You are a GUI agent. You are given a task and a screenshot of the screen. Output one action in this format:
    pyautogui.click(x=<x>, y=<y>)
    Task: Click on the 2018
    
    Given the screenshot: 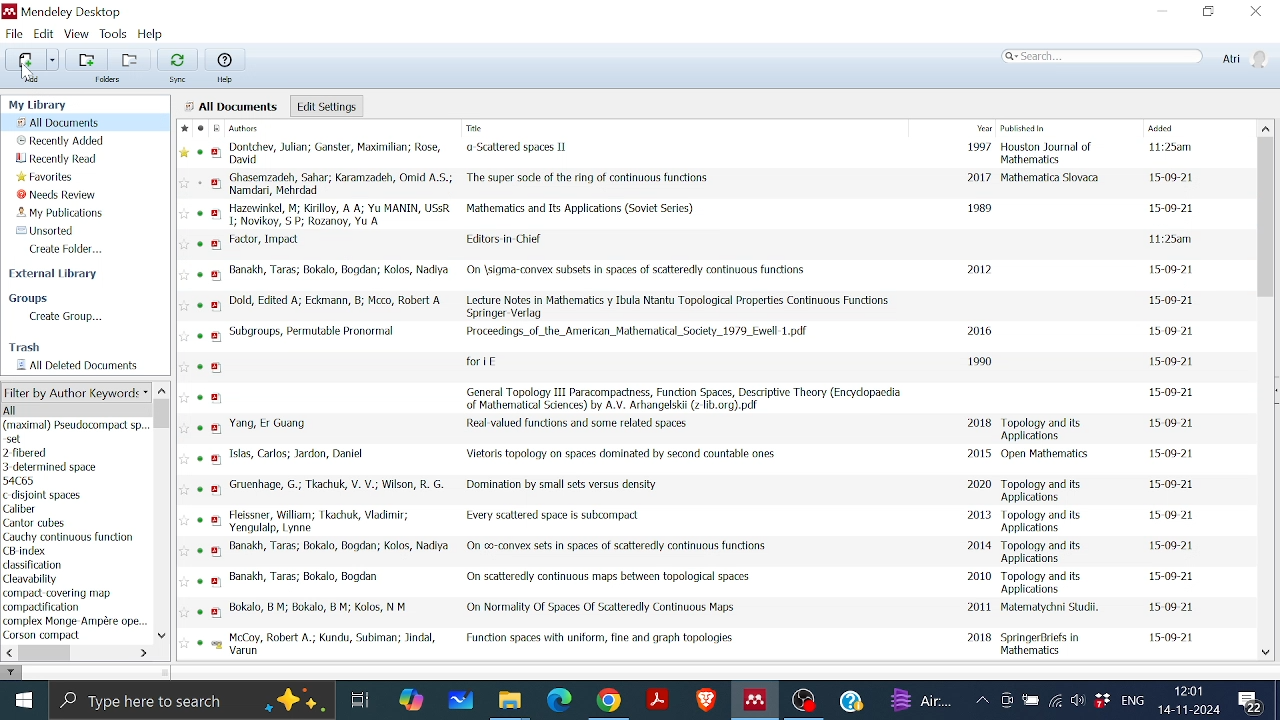 What is the action you would take?
    pyautogui.click(x=979, y=639)
    